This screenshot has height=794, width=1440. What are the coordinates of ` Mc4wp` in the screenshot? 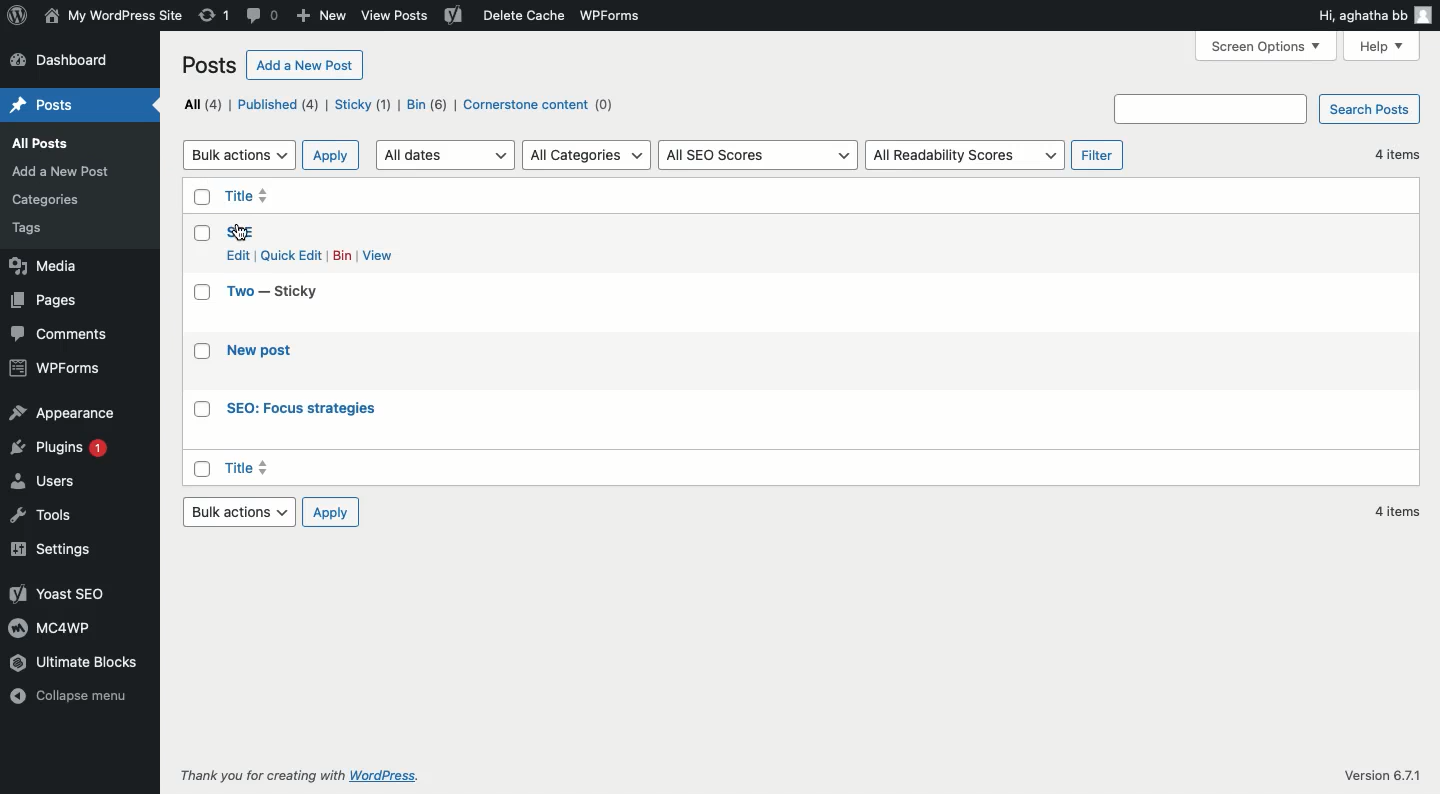 It's located at (53, 629).